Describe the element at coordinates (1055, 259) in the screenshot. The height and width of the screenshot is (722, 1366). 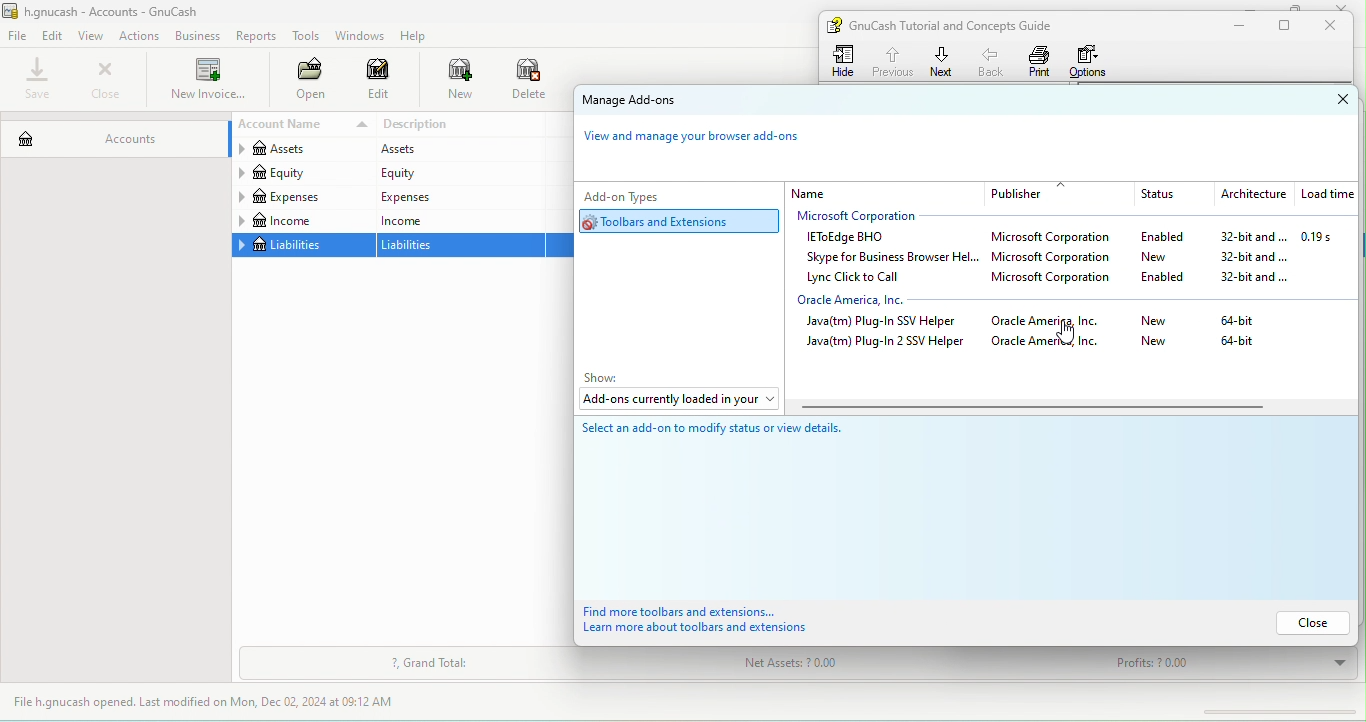
I see `microsoft corporation` at that location.